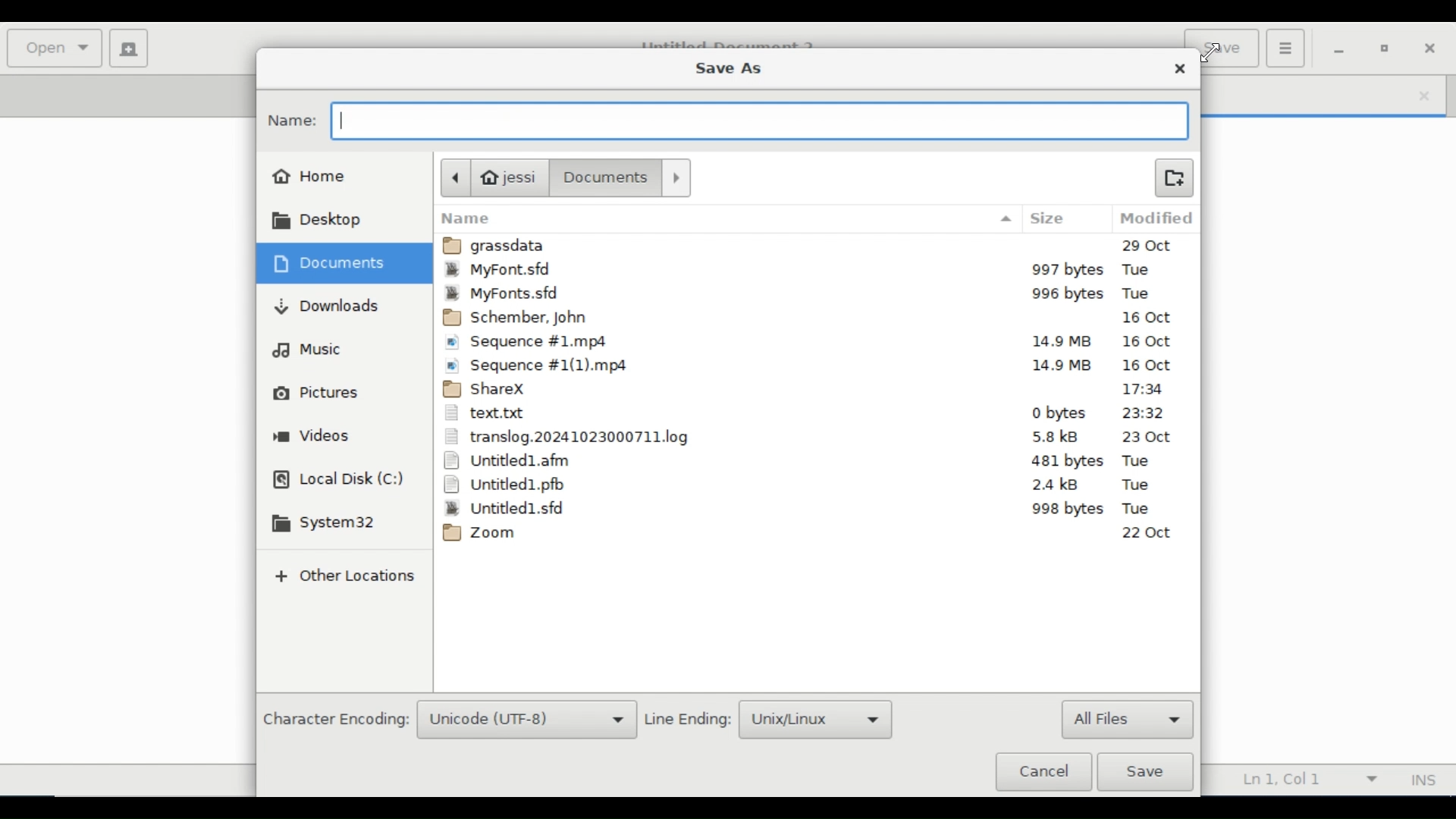 Image resolution: width=1456 pixels, height=819 pixels. I want to click on Add Other Locations, so click(347, 576).